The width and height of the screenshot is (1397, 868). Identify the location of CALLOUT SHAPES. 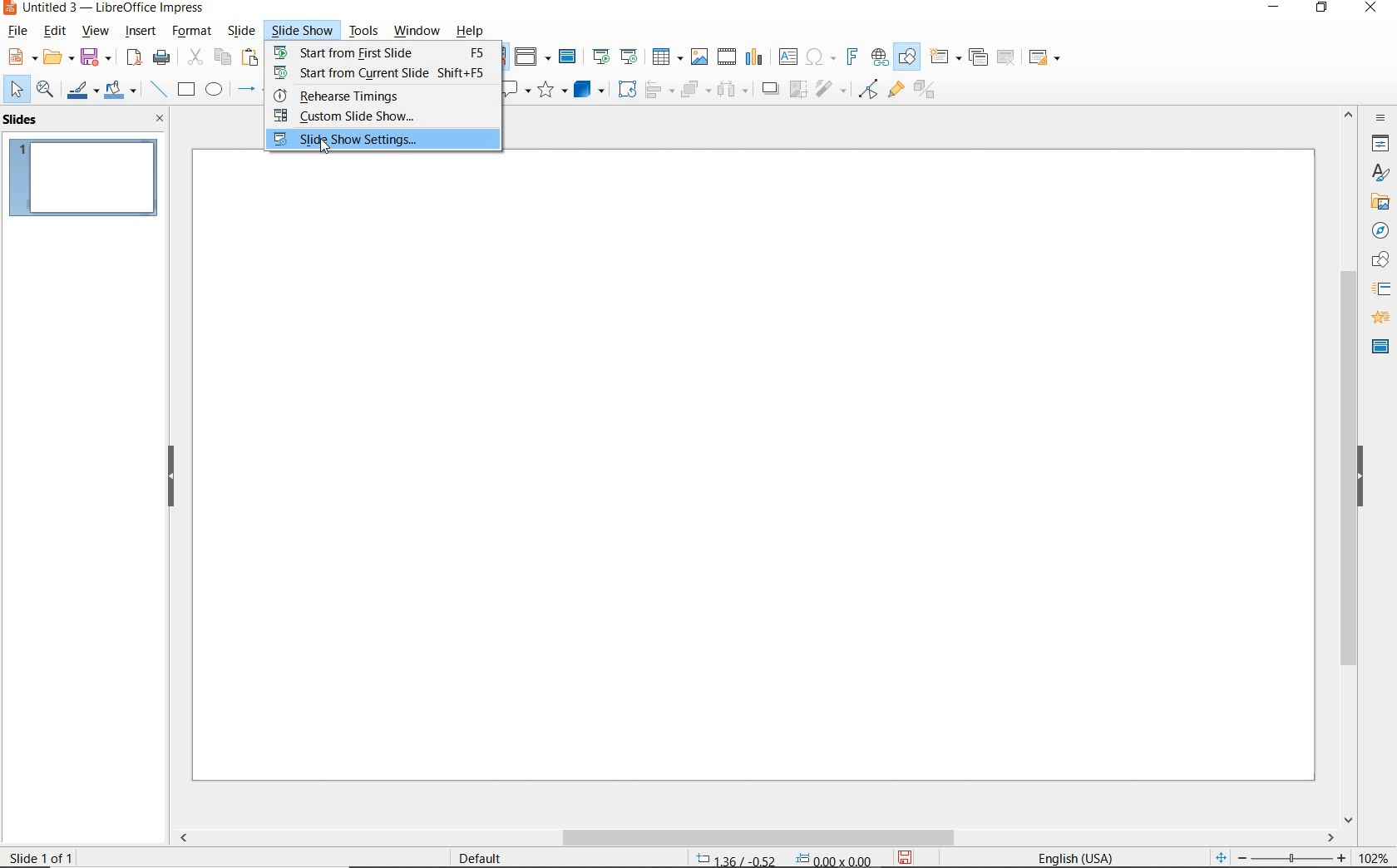
(518, 91).